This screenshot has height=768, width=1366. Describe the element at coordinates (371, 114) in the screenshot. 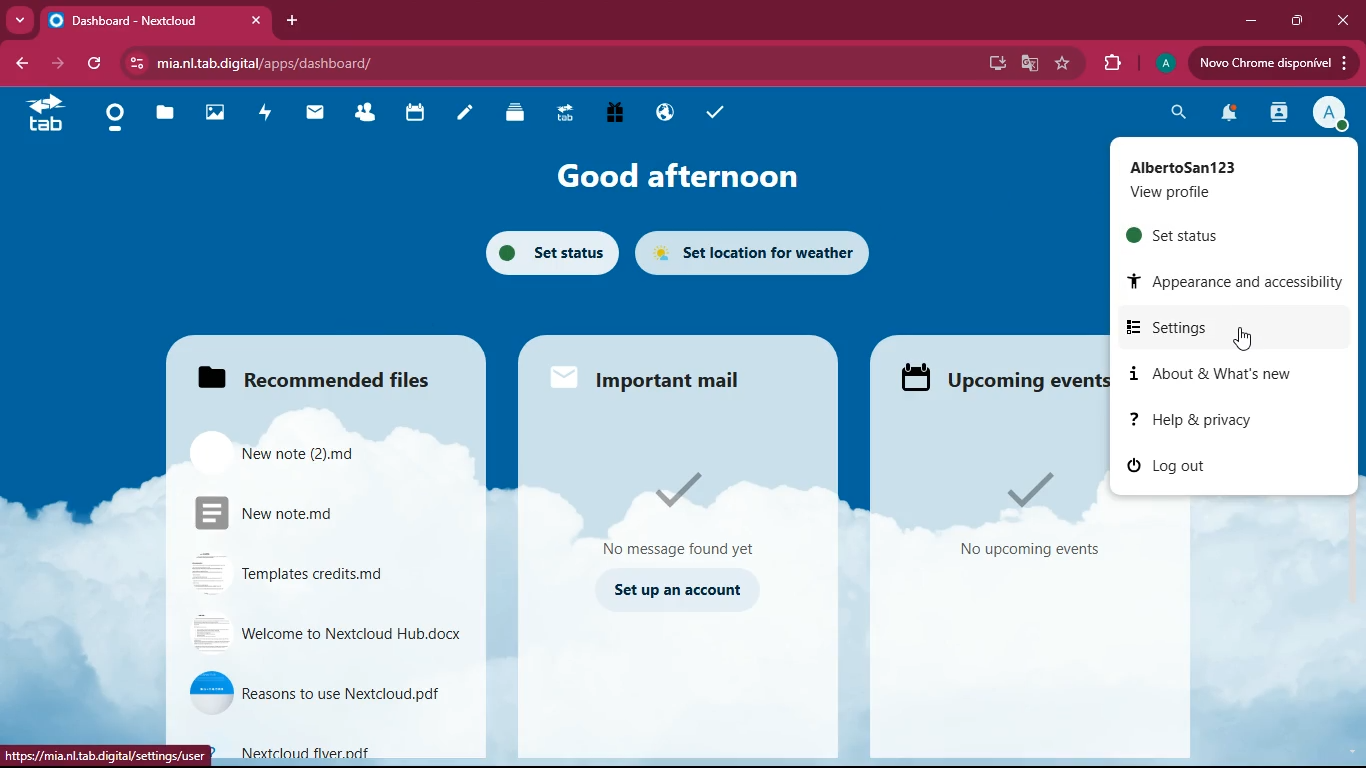

I see `friends` at that location.